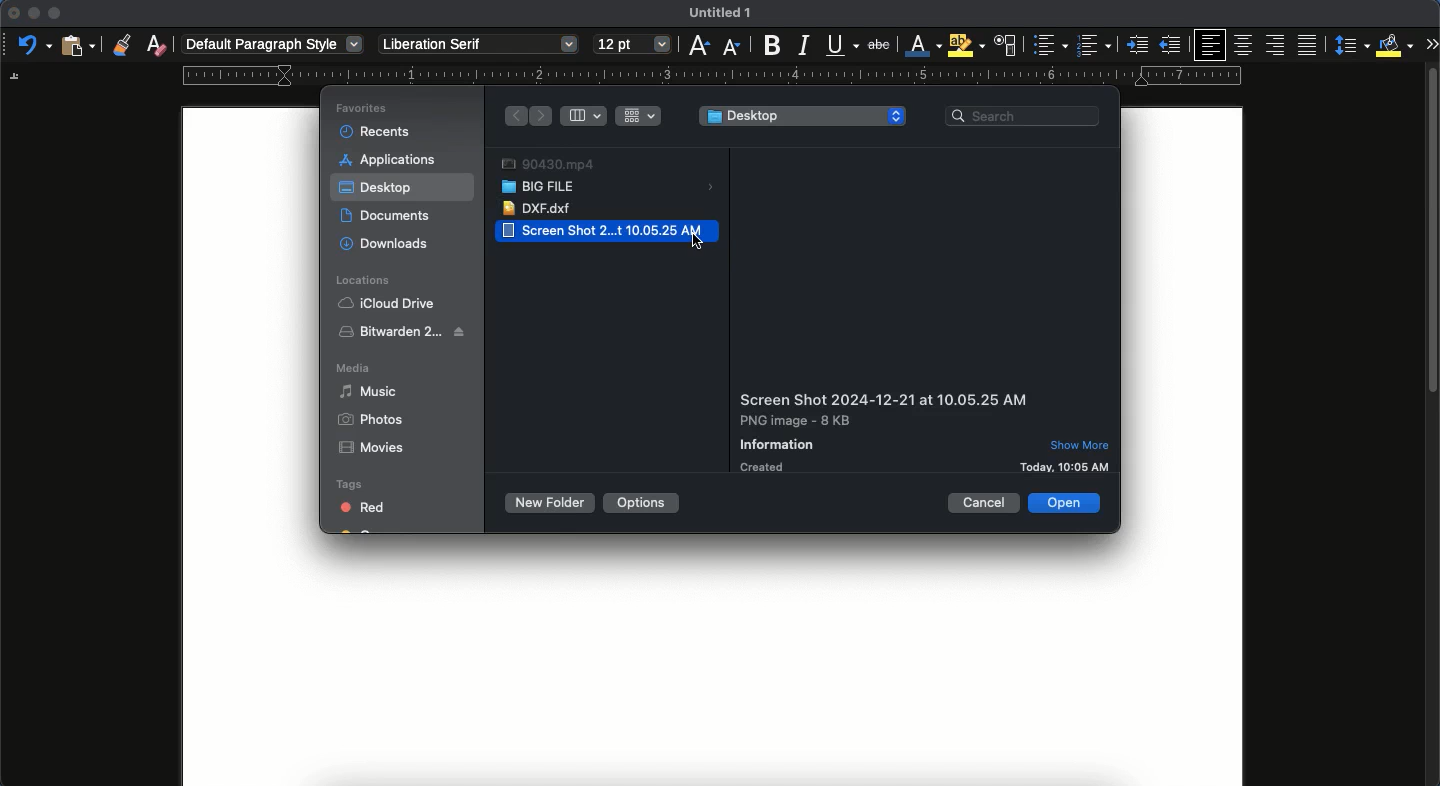 This screenshot has height=786, width=1440. What do you see at coordinates (34, 13) in the screenshot?
I see `minimize ` at bounding box center [34, 13].